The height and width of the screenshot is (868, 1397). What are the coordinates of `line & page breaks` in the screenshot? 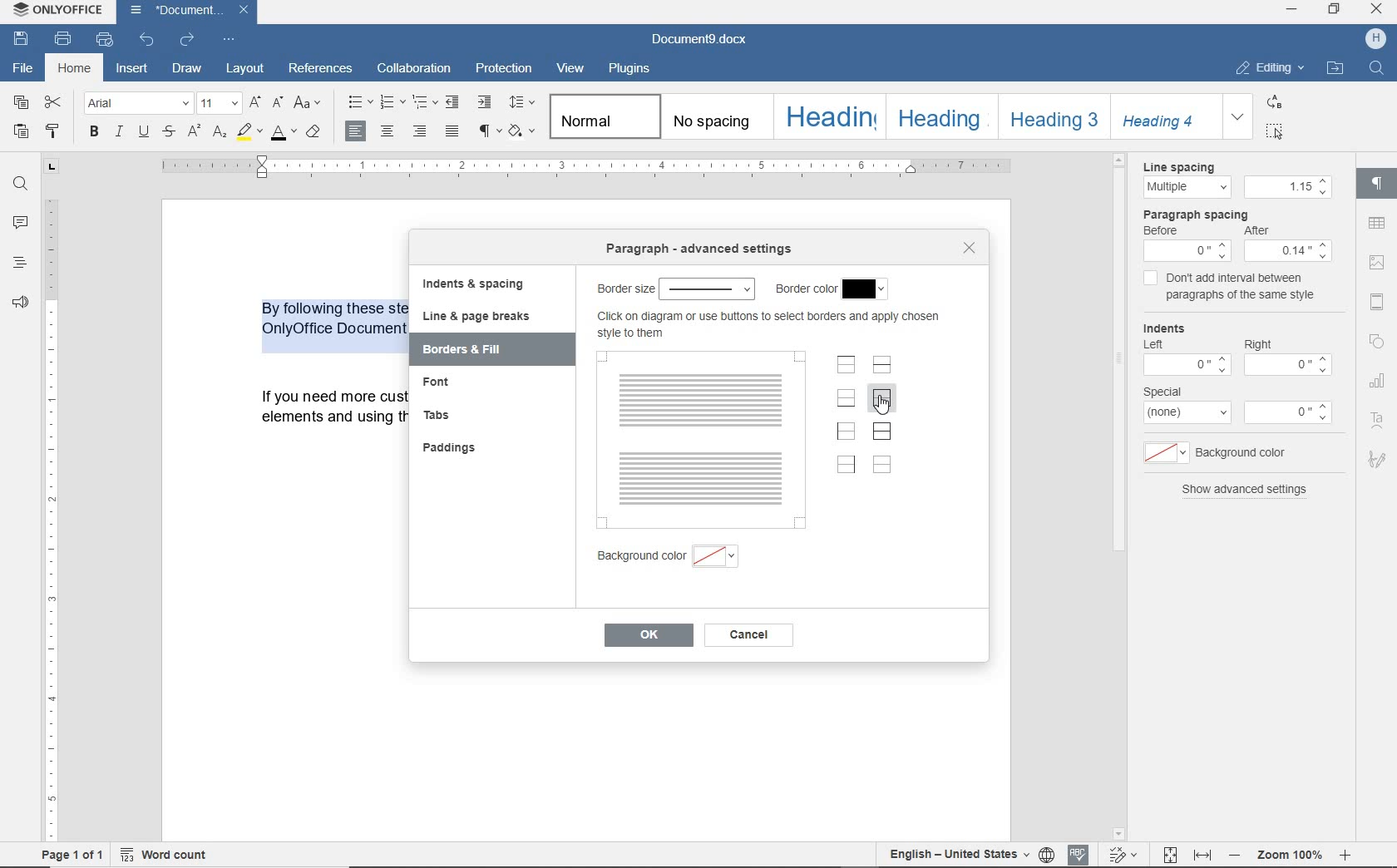 It's located at (482, 317).